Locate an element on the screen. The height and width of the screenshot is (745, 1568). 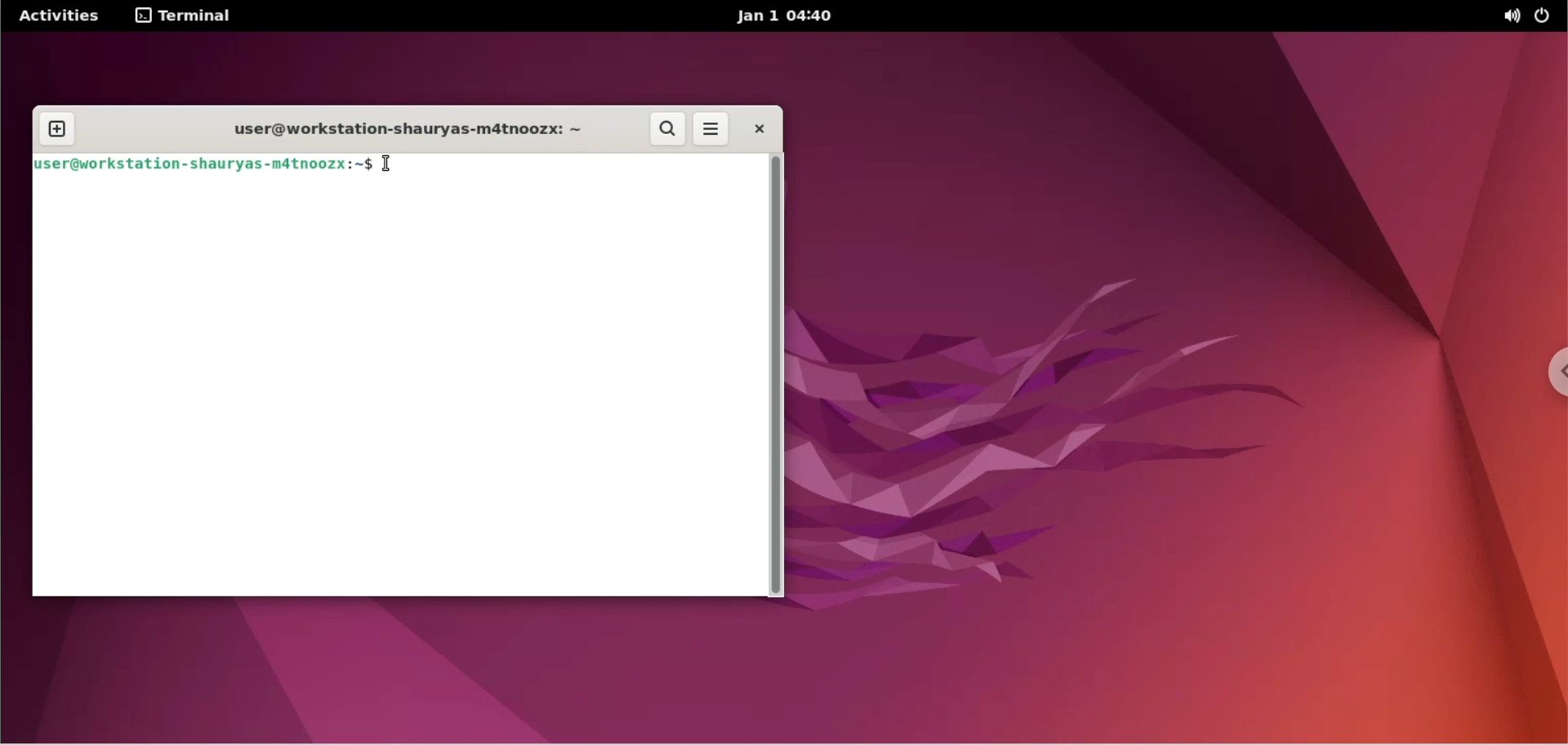
command input box is located at coordinates (396, 390).